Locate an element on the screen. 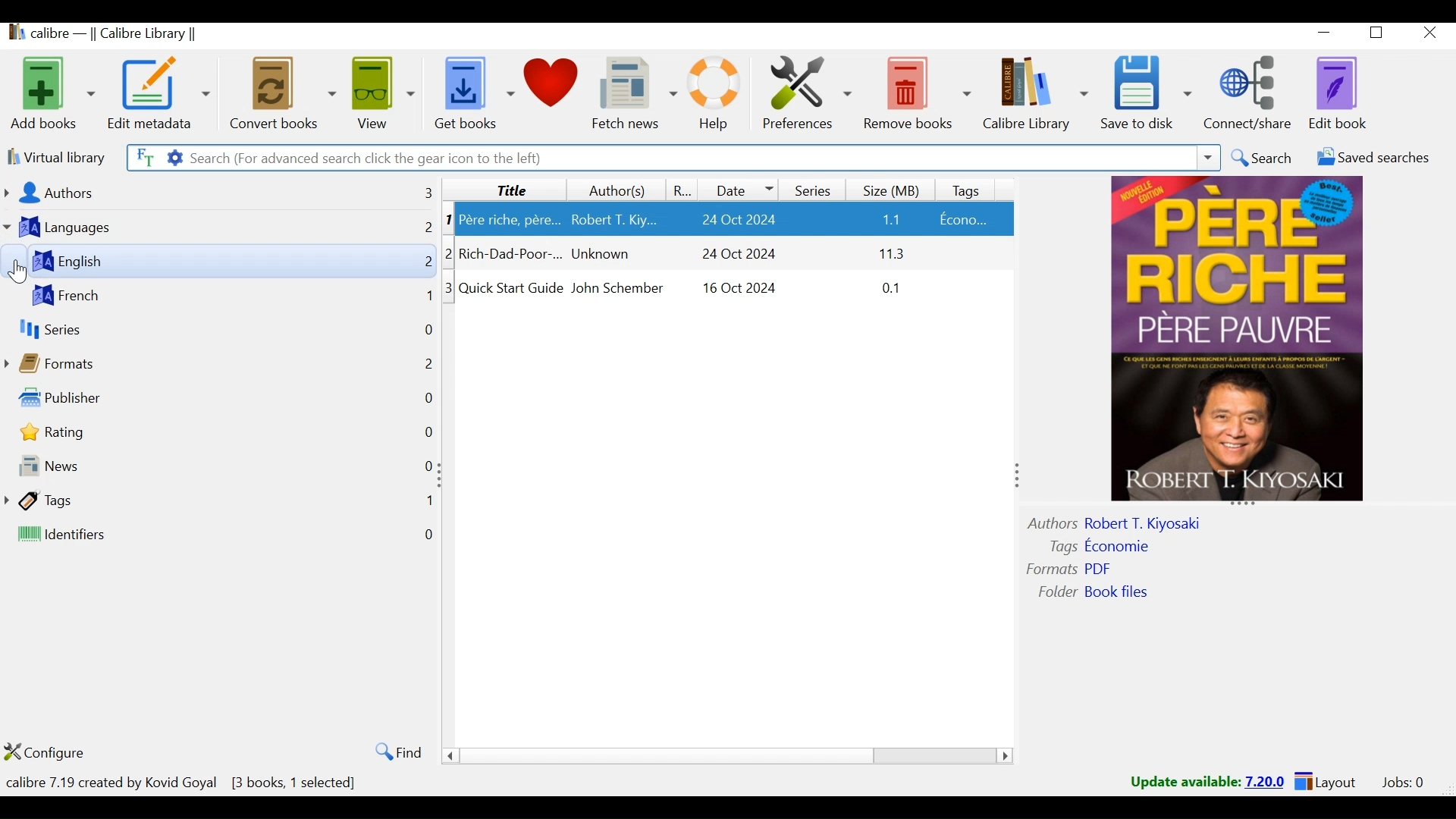  search (For advanced search click the gear icon to the left) is located at coordinates (686, 158).